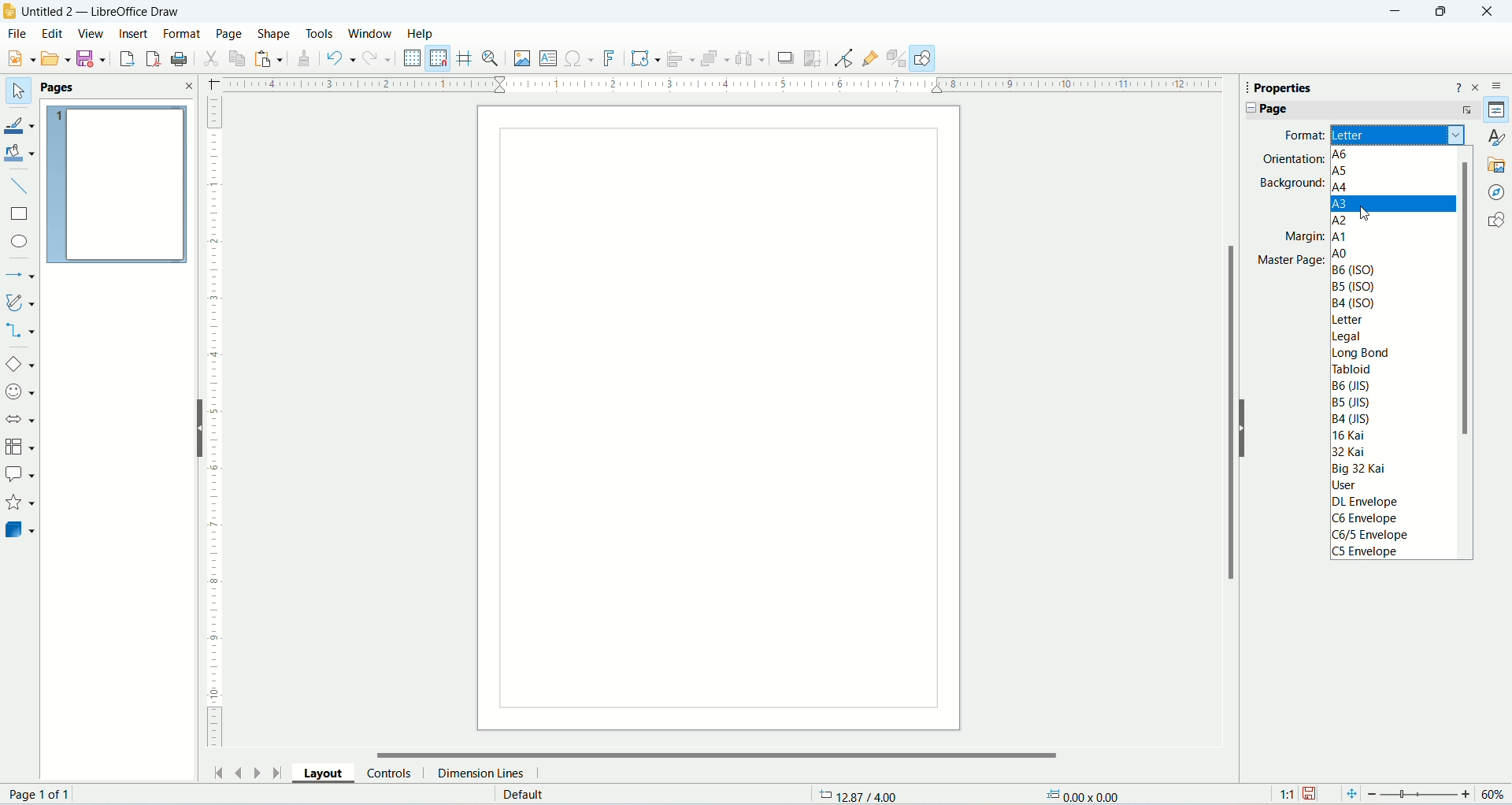 The image size is (1512, 805). What do you see at coordinates (492, 59) in the screenshot?
I see `zoom and pan` at bounding box center [492, 59].